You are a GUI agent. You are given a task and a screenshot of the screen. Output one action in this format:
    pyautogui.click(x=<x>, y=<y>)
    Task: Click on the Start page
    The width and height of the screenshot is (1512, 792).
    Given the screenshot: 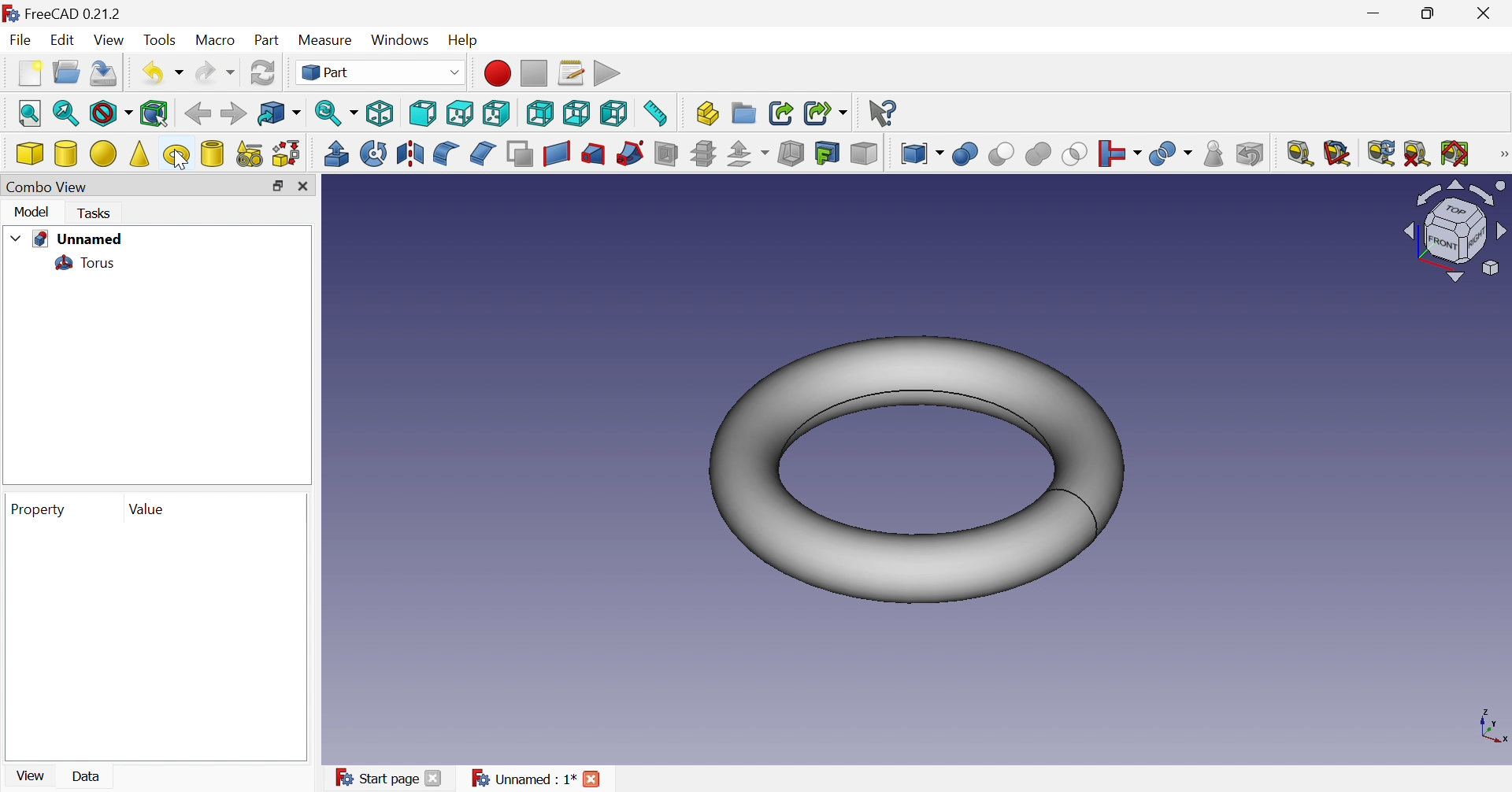 What is the action you would take?
    pyautogui.click(x=376, y=777)
    